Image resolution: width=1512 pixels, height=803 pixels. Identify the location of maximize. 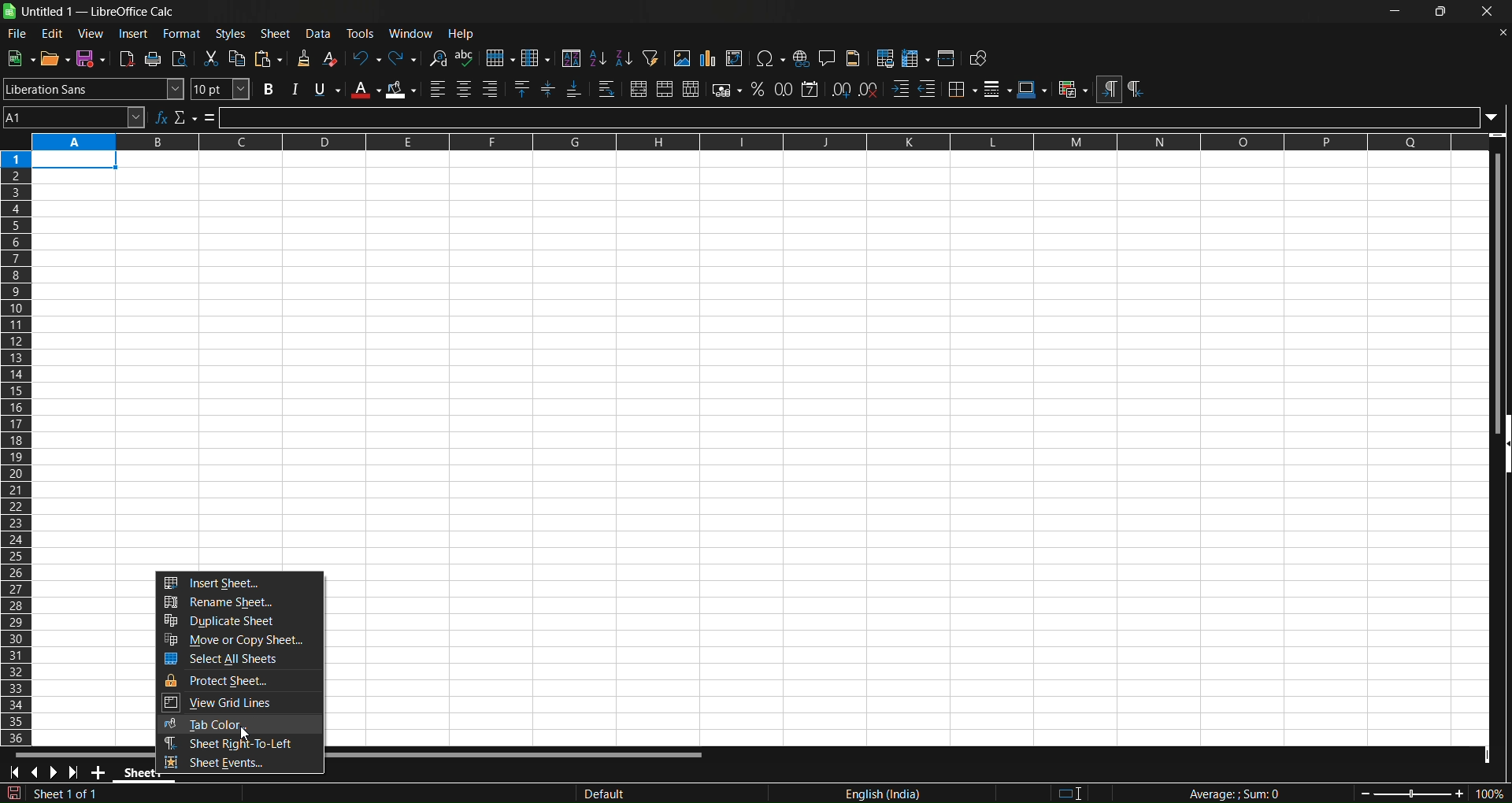
(1444, 13).